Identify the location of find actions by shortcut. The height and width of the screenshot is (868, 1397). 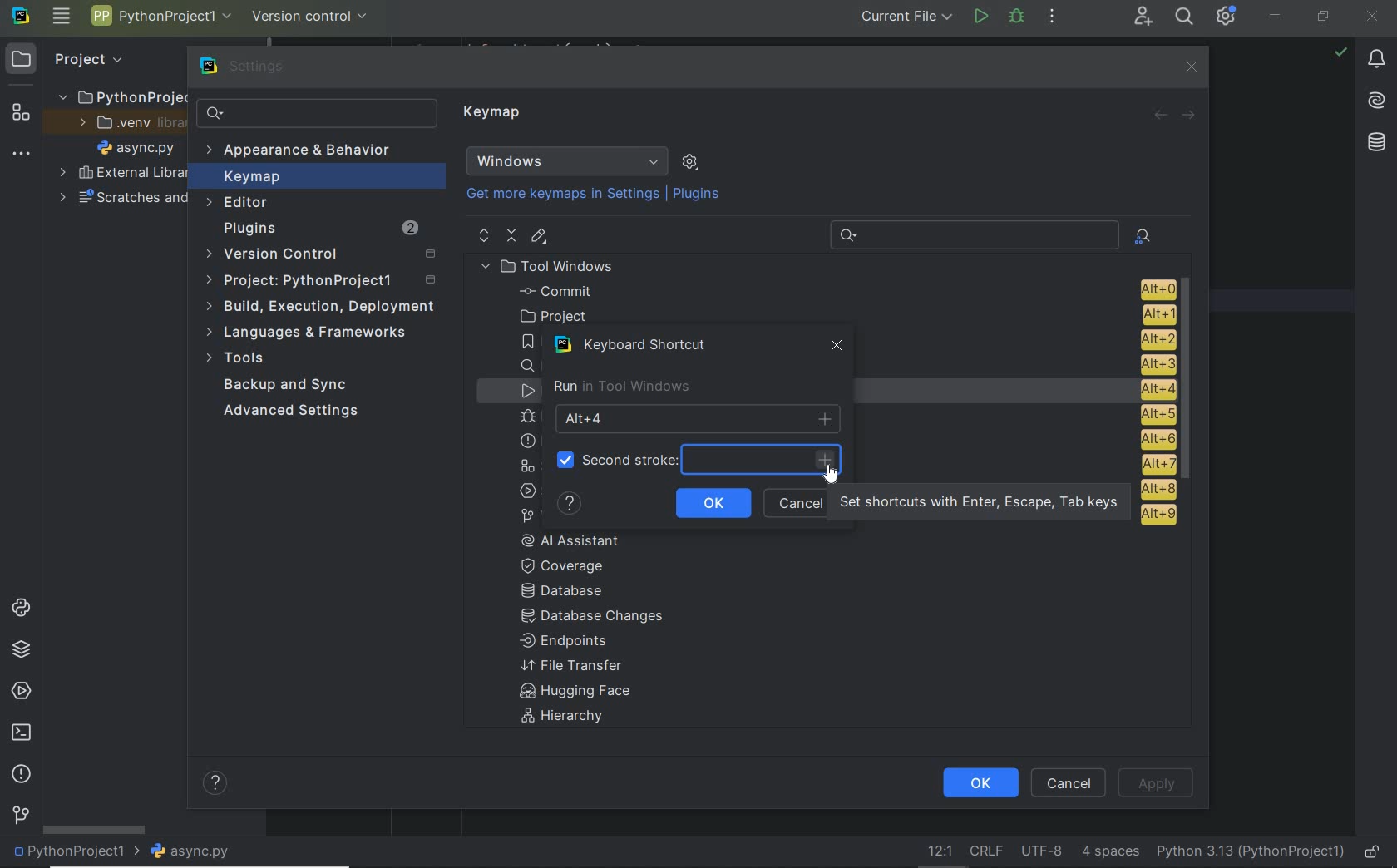
(1143, 236).